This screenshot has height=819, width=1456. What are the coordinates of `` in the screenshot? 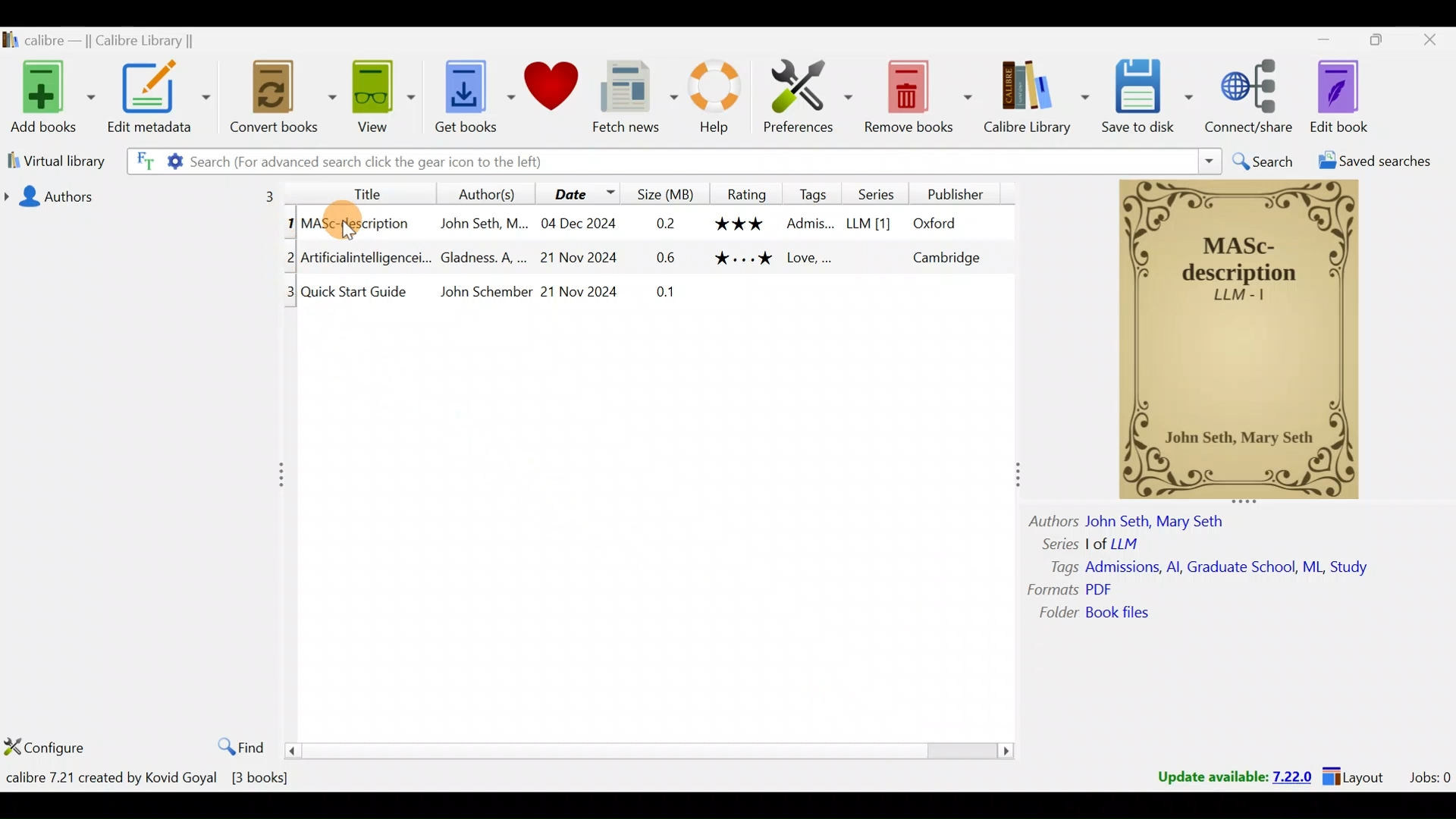 It's located at (1056, 544).